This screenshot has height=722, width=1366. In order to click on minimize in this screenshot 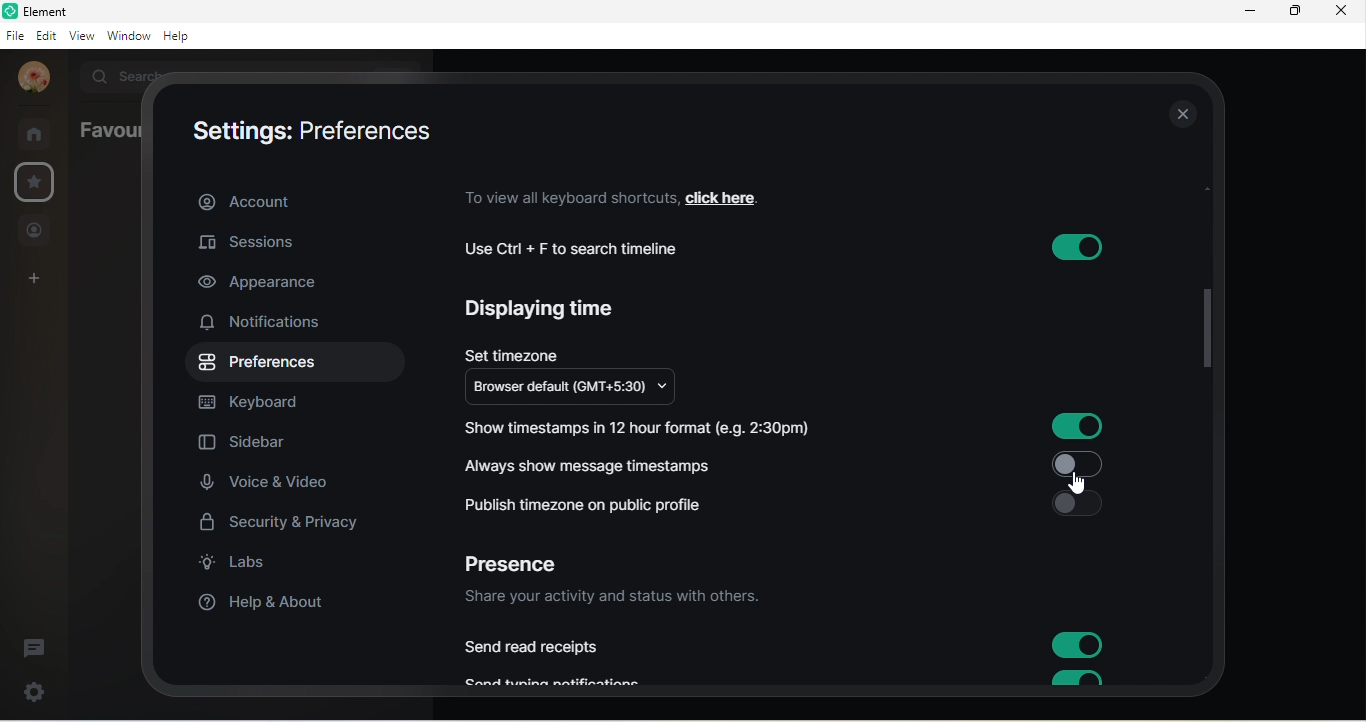, I will do `click(1245, 14)`.